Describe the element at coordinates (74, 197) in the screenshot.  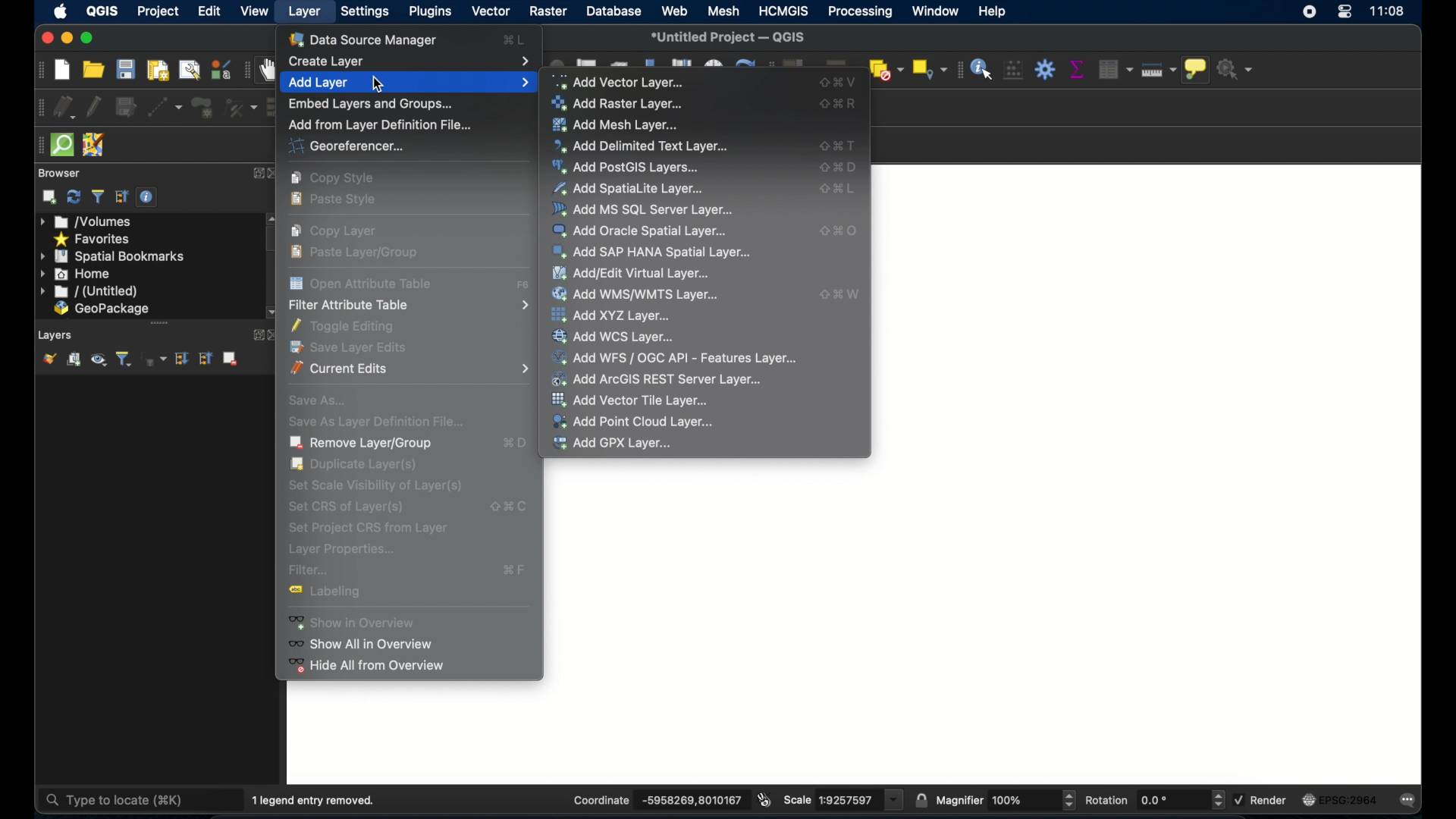
I see `refresh` at that location.